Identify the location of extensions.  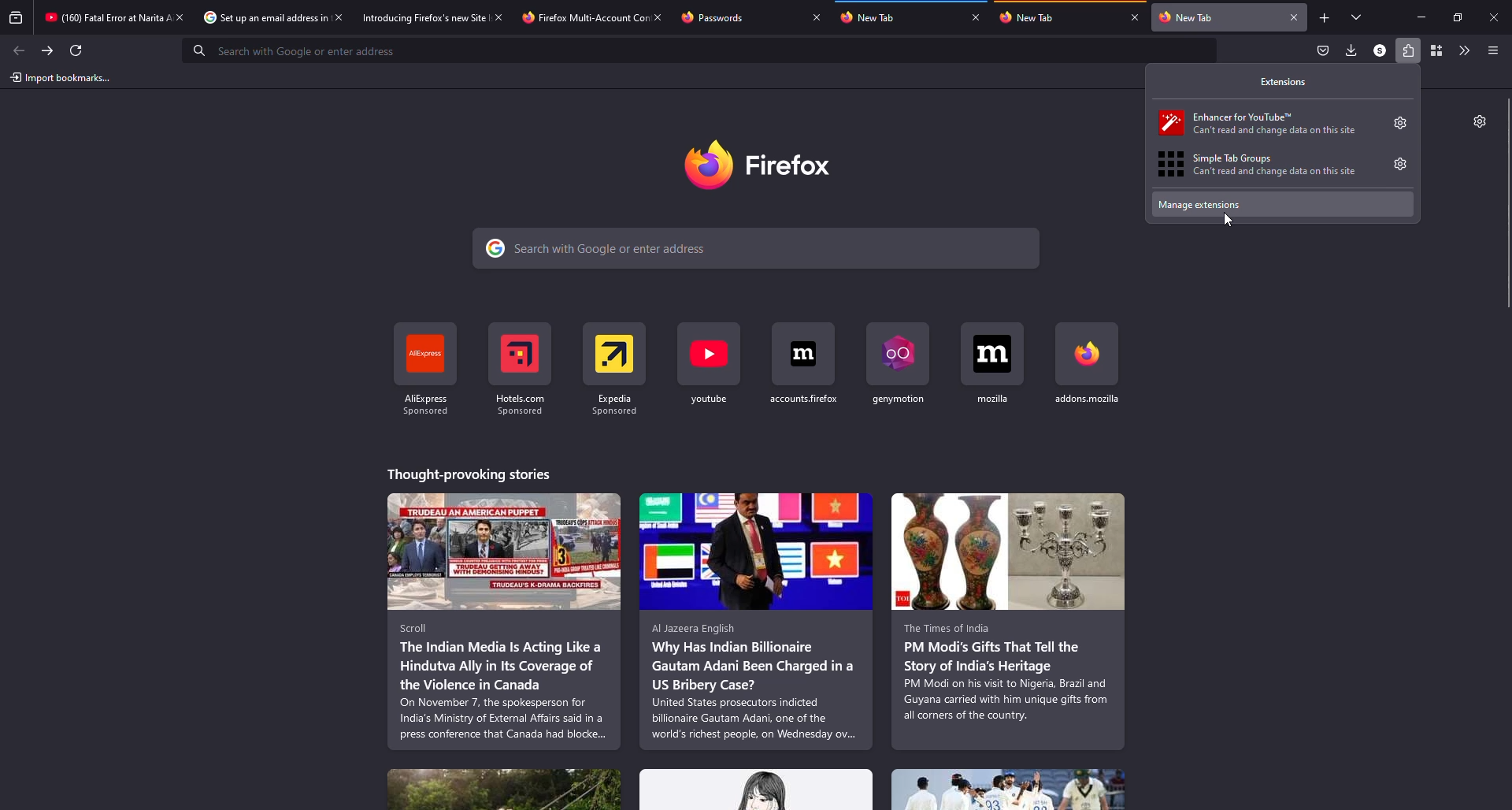
(1286, 81).